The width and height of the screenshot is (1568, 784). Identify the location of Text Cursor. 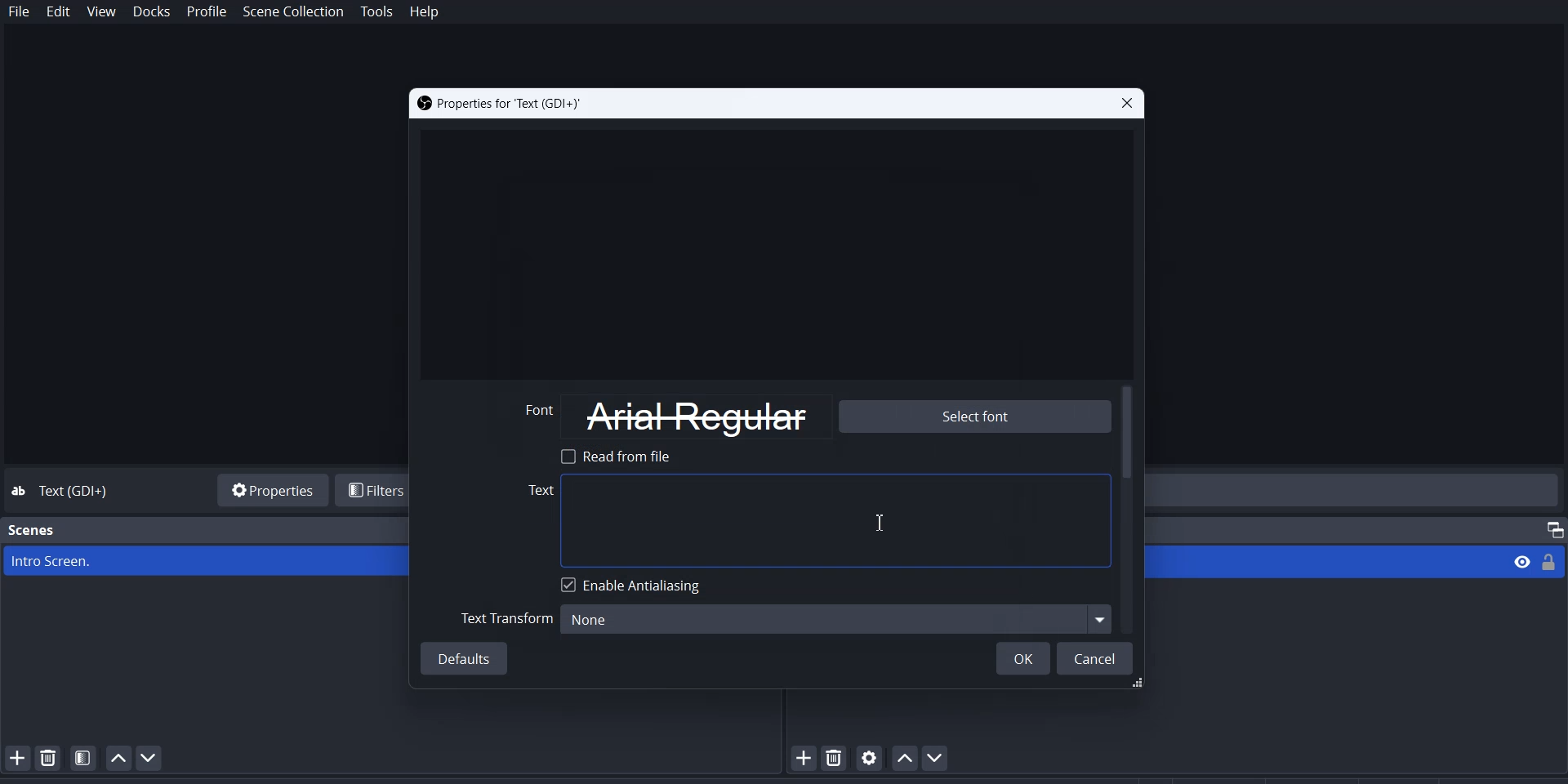
(880, 523).